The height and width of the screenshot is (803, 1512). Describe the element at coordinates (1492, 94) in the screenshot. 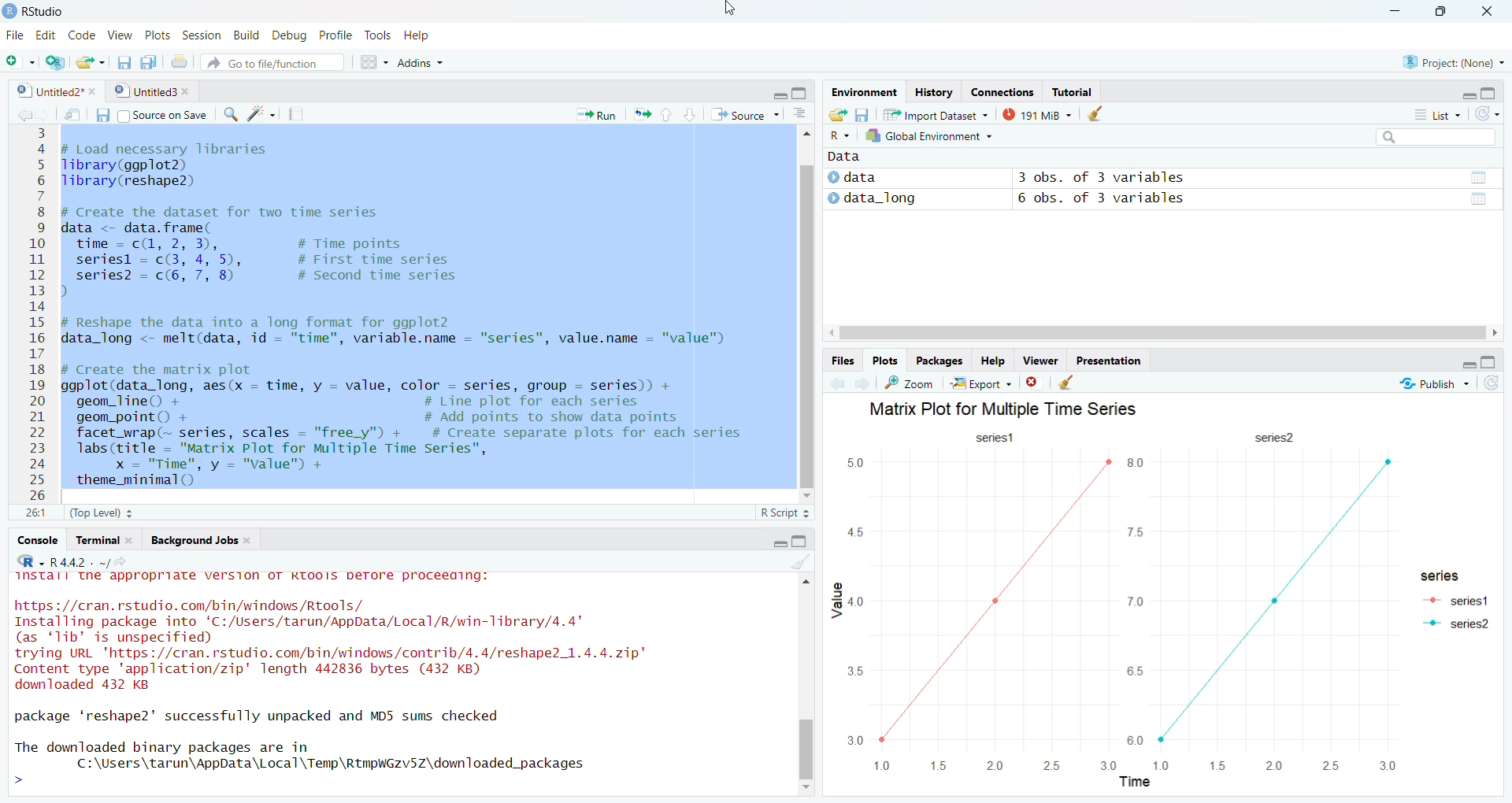

I see `Maximize` at that location.